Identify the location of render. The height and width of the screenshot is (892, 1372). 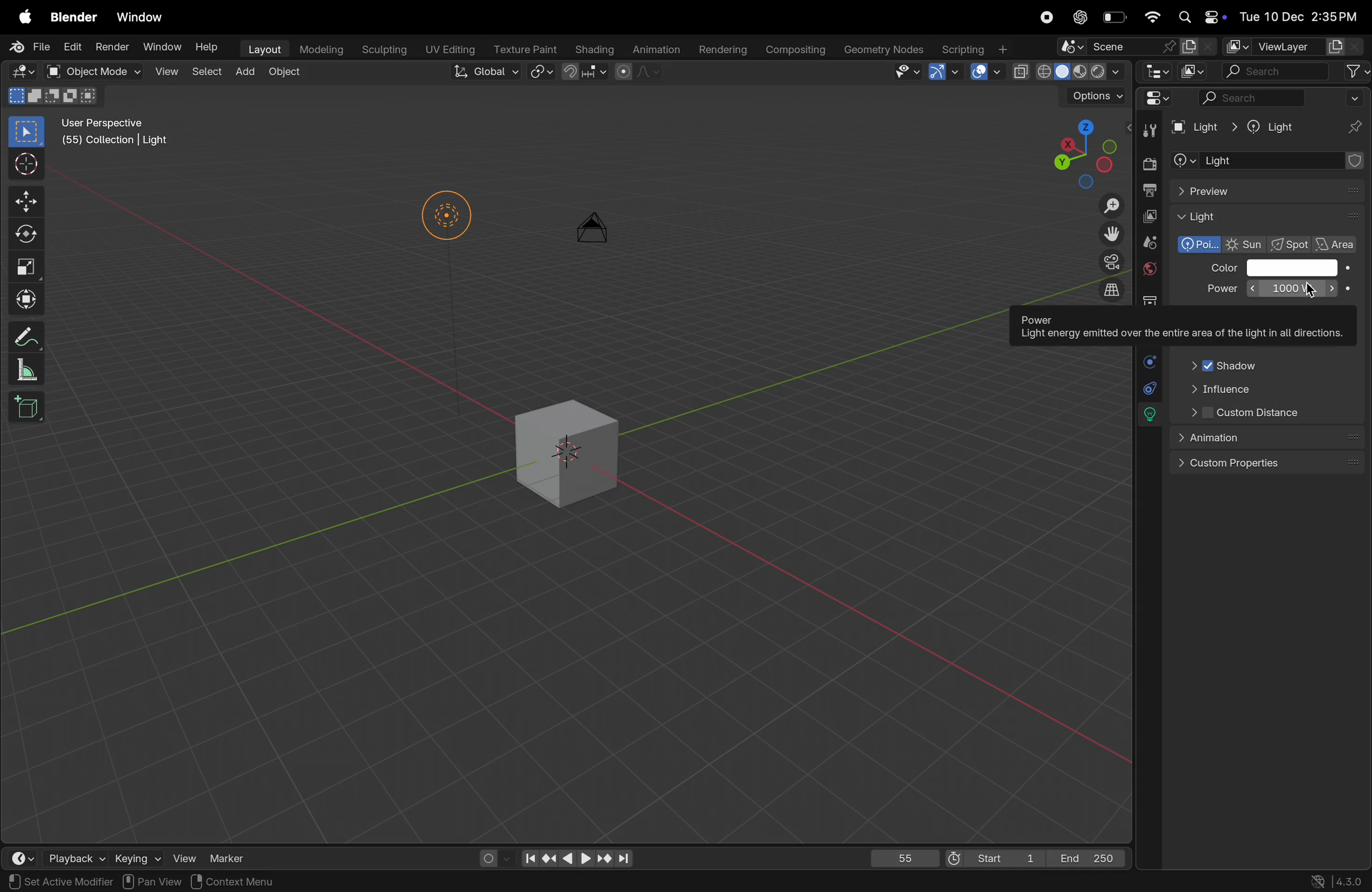
(1148, 161).